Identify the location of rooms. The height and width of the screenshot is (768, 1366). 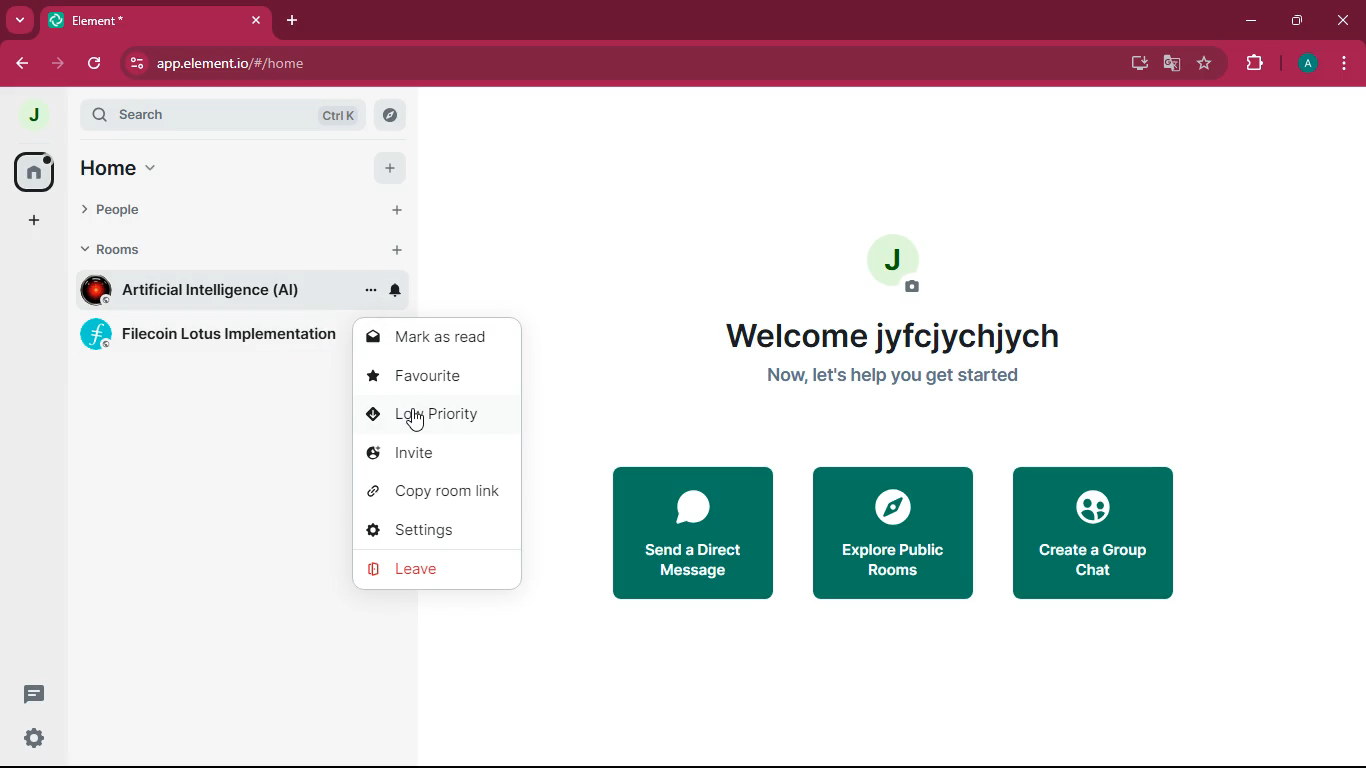
(129, 250).